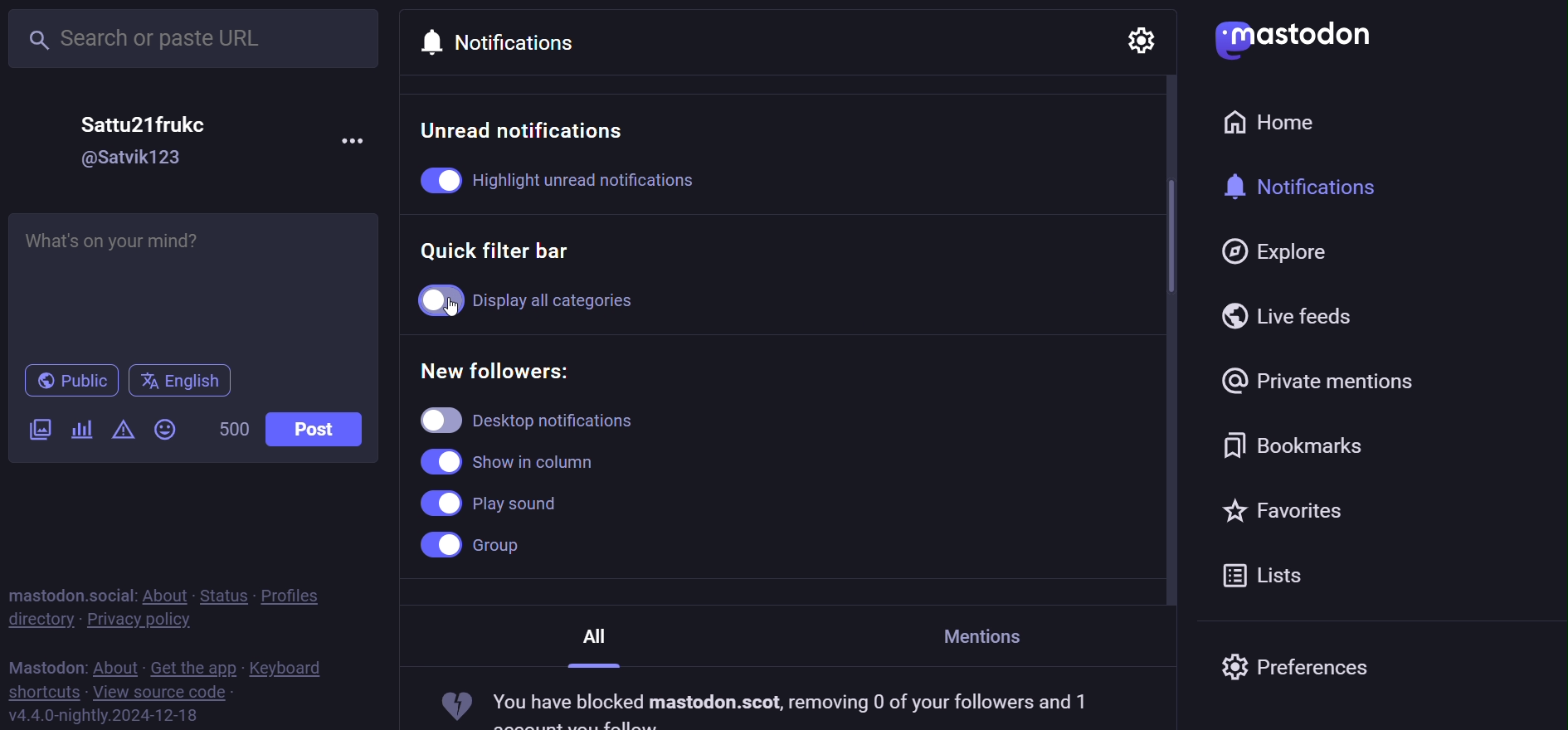 The image size is (1568, 730). I want to click on private mentions, so click(1319, 380).